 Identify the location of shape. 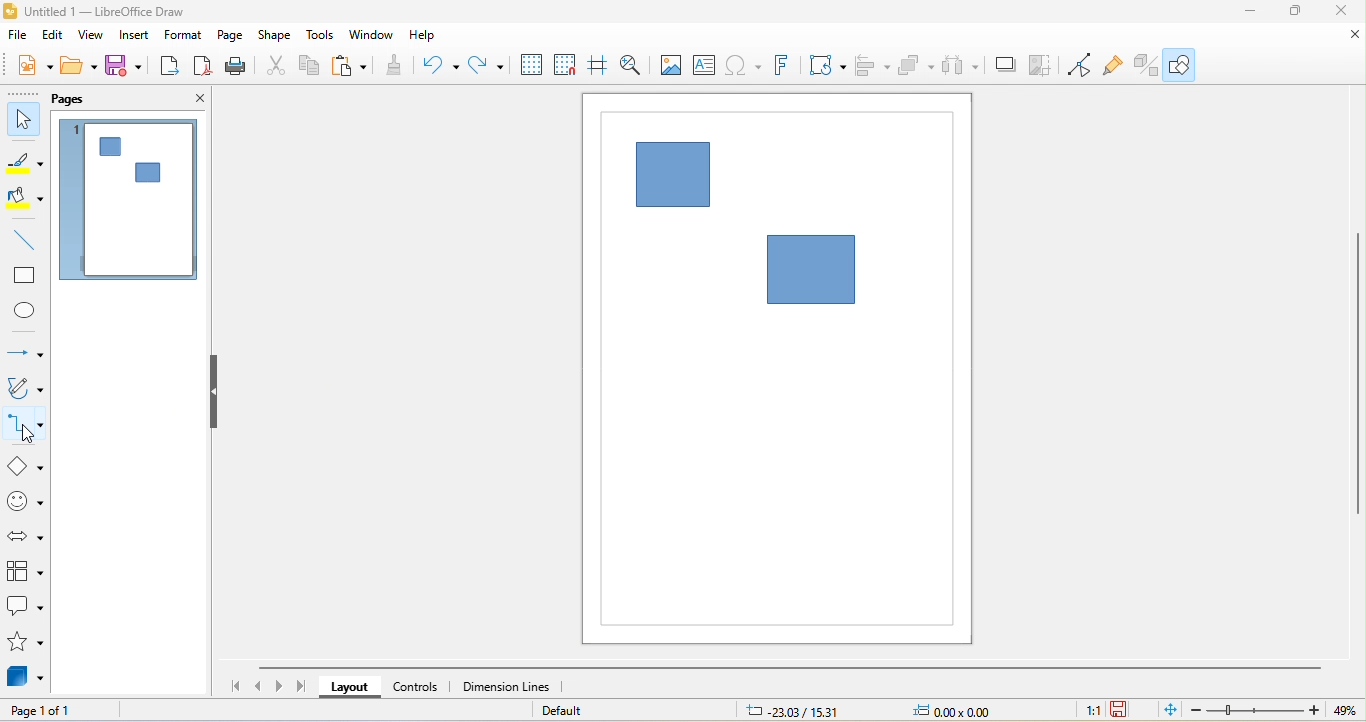
(675, 173).